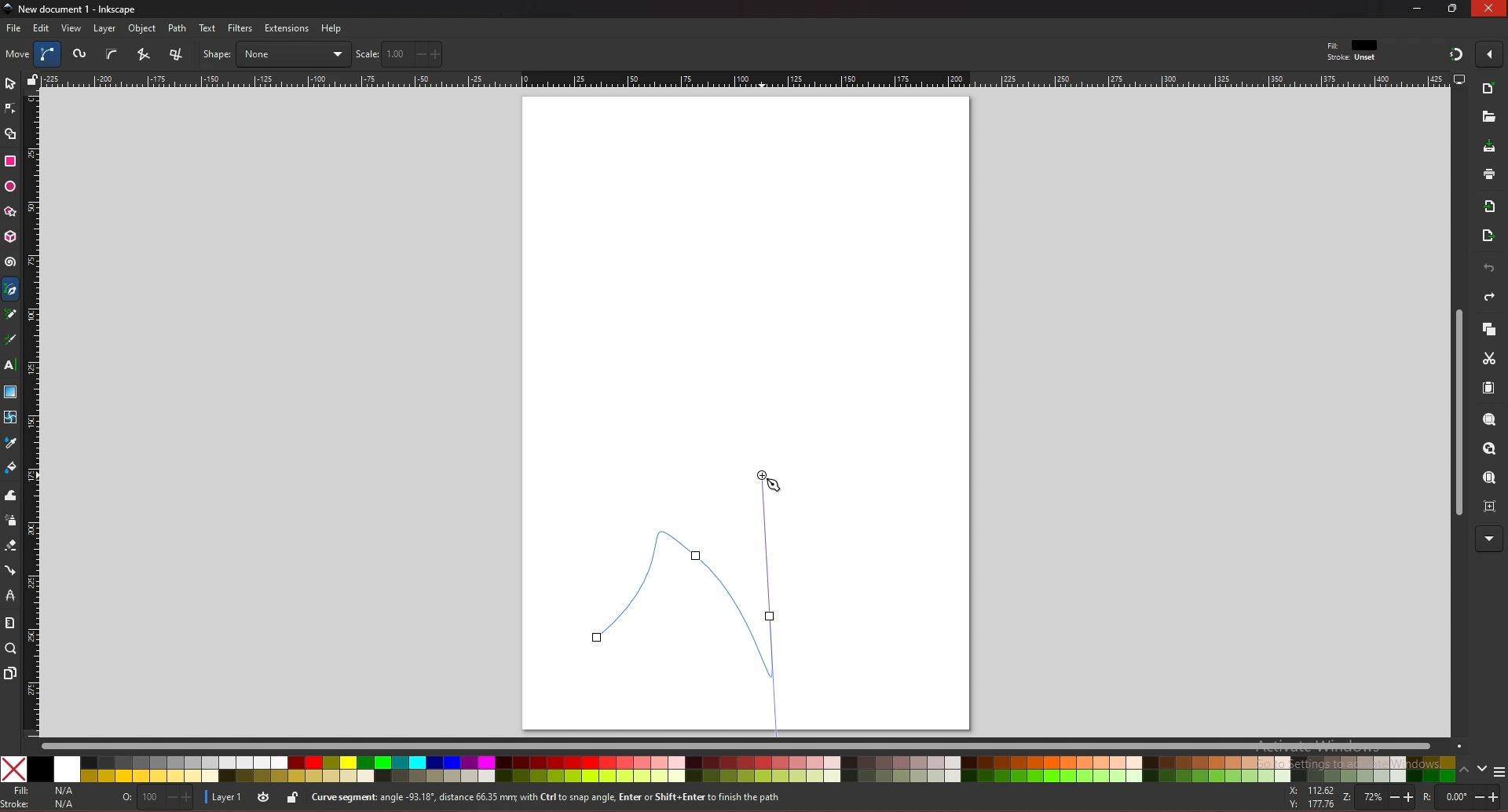  What do you see at coordinates (11, 392) in the screenshot?
I see `gradient` at bounding box center [11, 392].